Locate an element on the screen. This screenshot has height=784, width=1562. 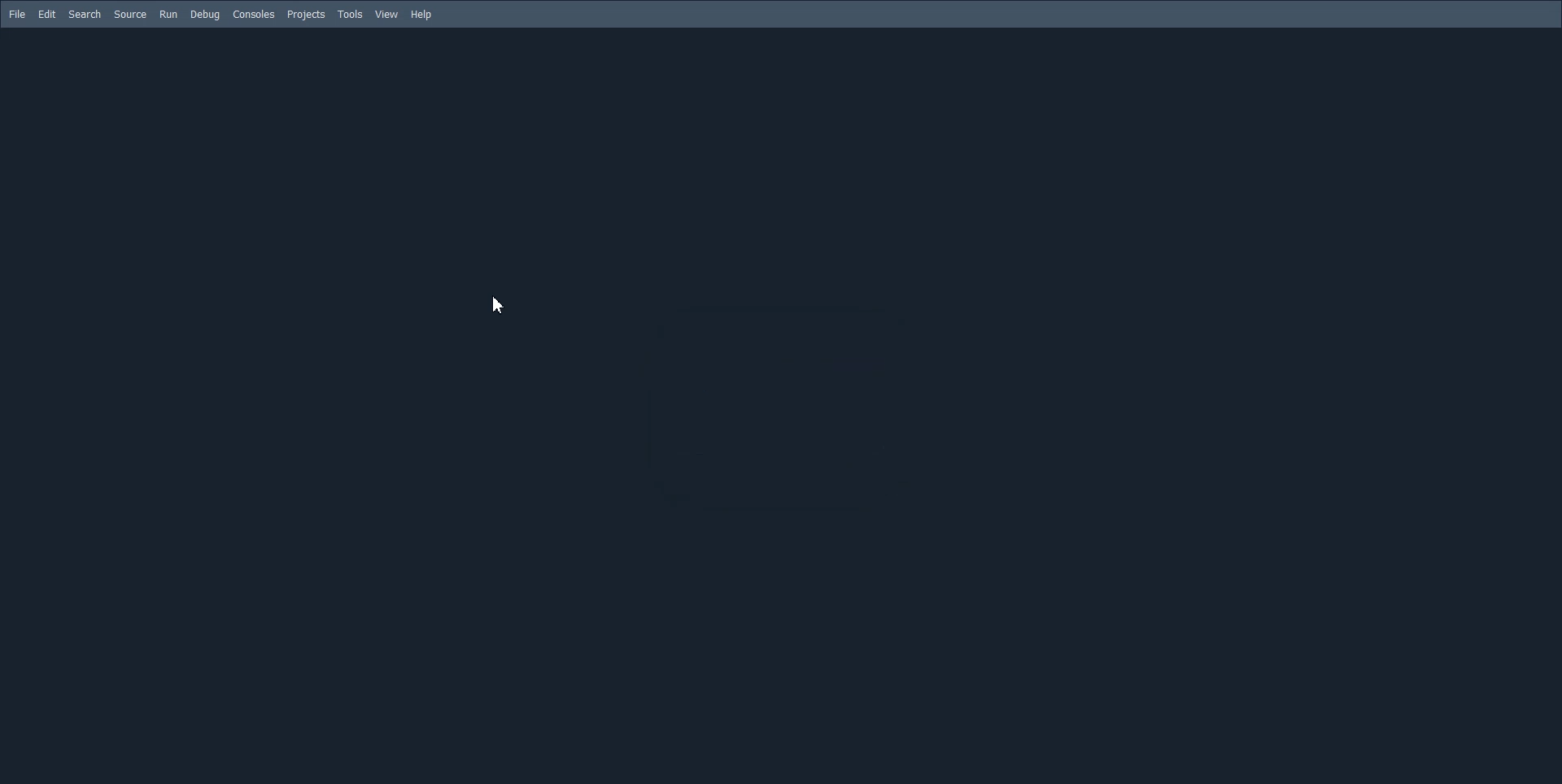
Projects is located at coordinates (306, 15).